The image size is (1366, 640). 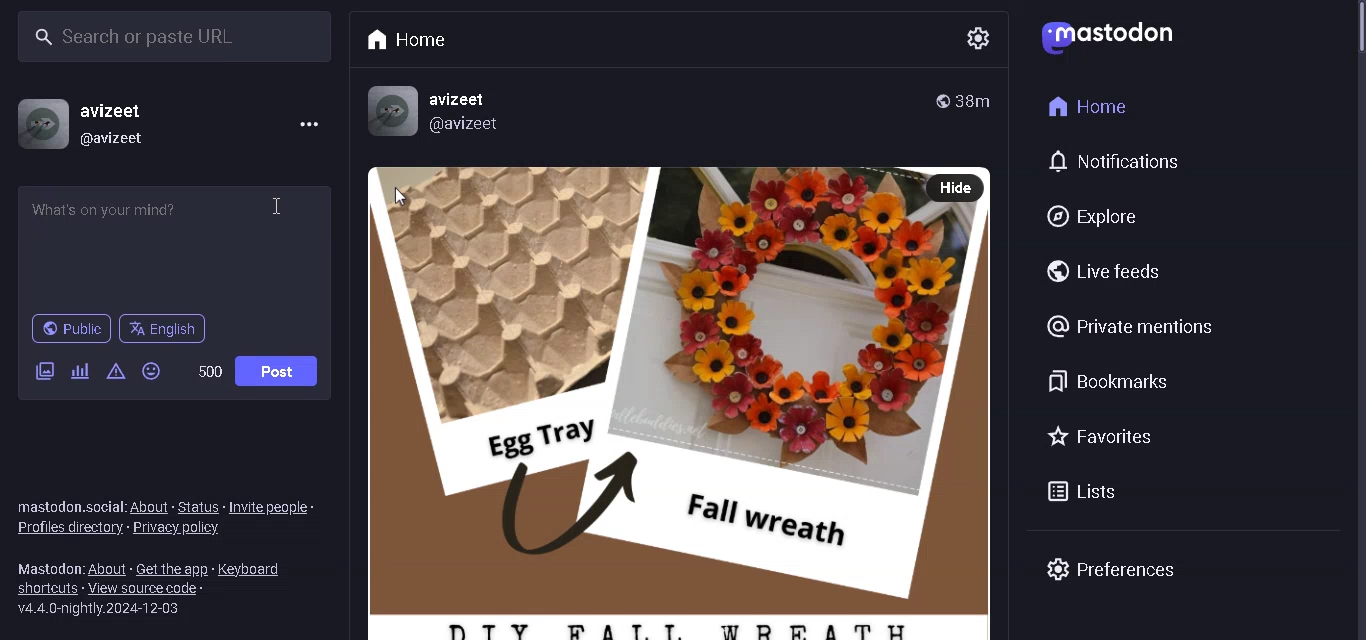 I want to click on privacy policy, so click(x=186, y=528).